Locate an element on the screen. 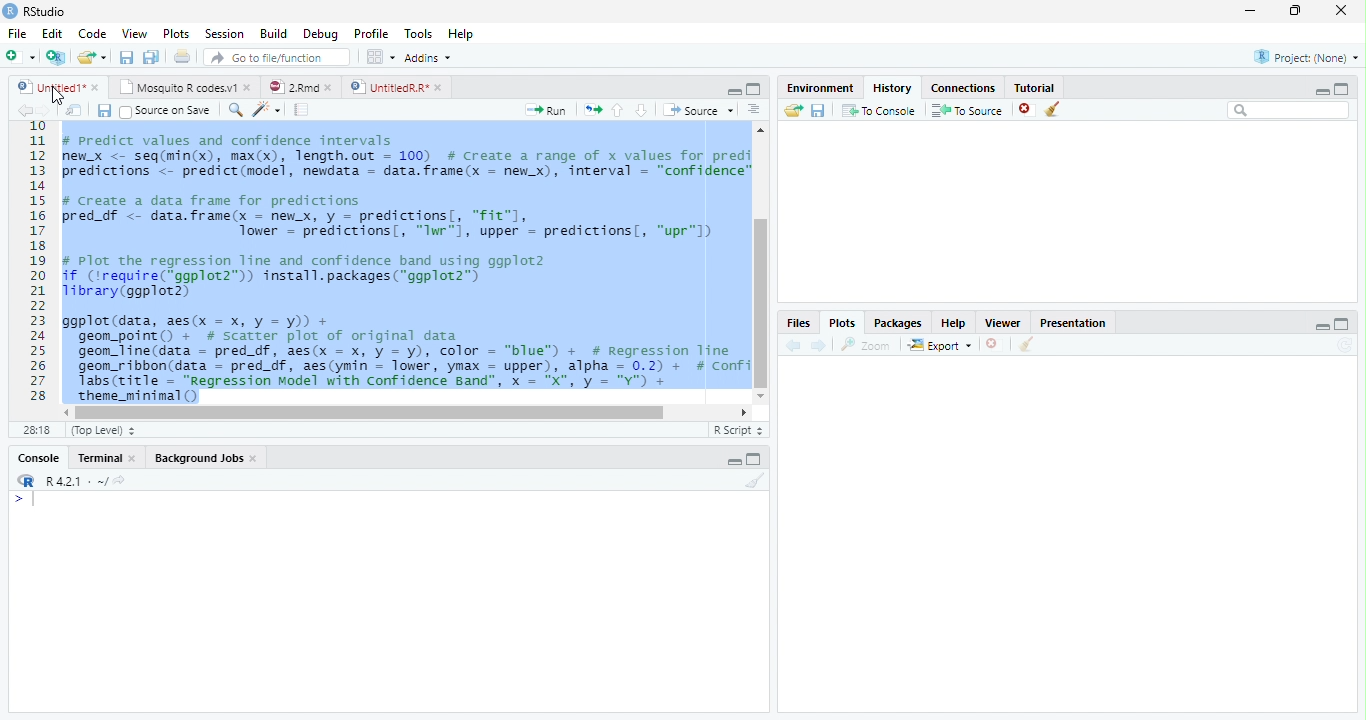 The height and width of the screenshot is (720, 1366). View is located at coordinates (134, 34).